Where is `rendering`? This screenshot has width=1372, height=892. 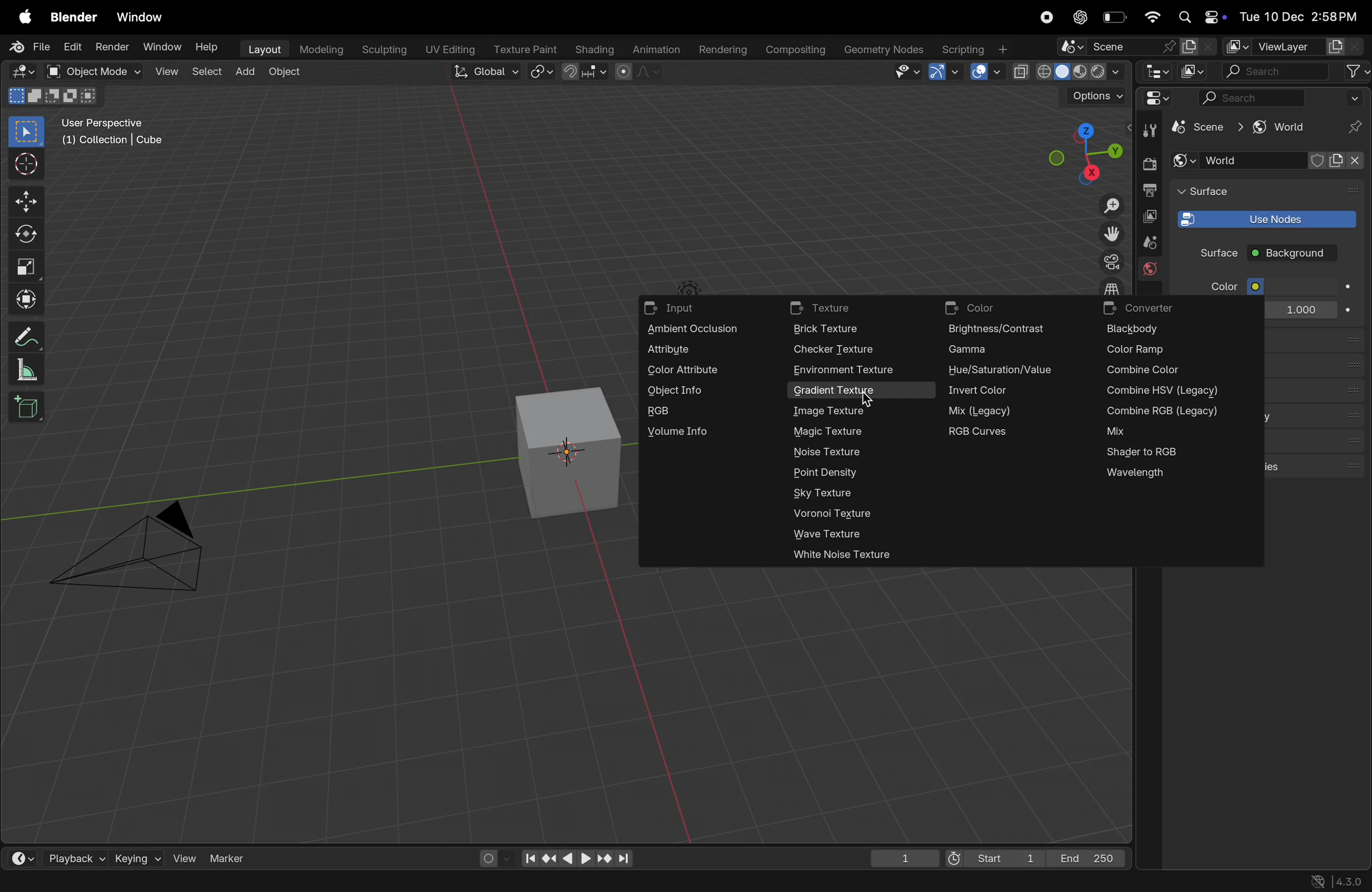 rendering is located at coordinates (721, 50).